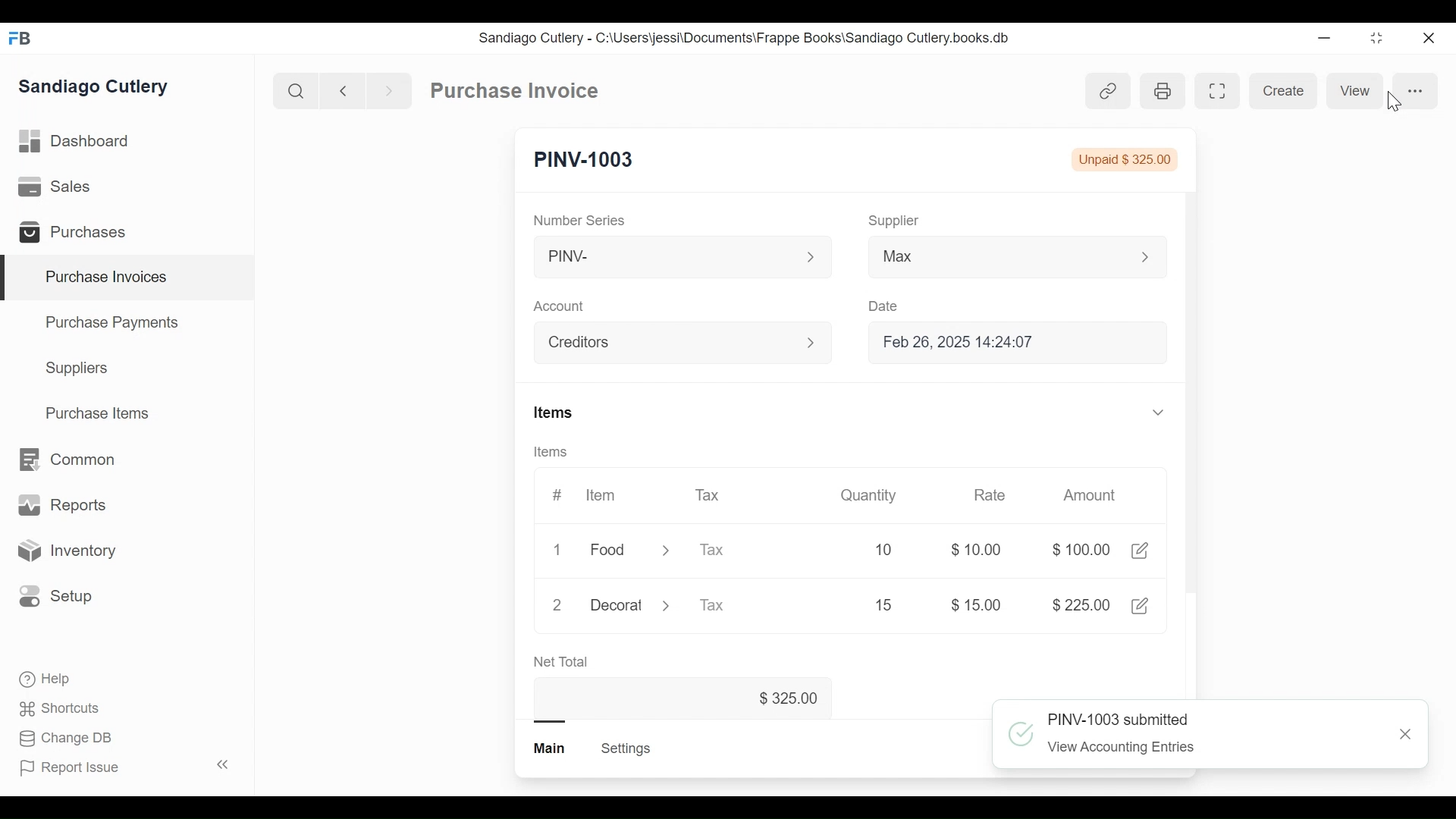 The height and width of the screenshot is (819, 1456). Describe the element at coordinates (557, 494) in the screenshot. I see `#` at that location.